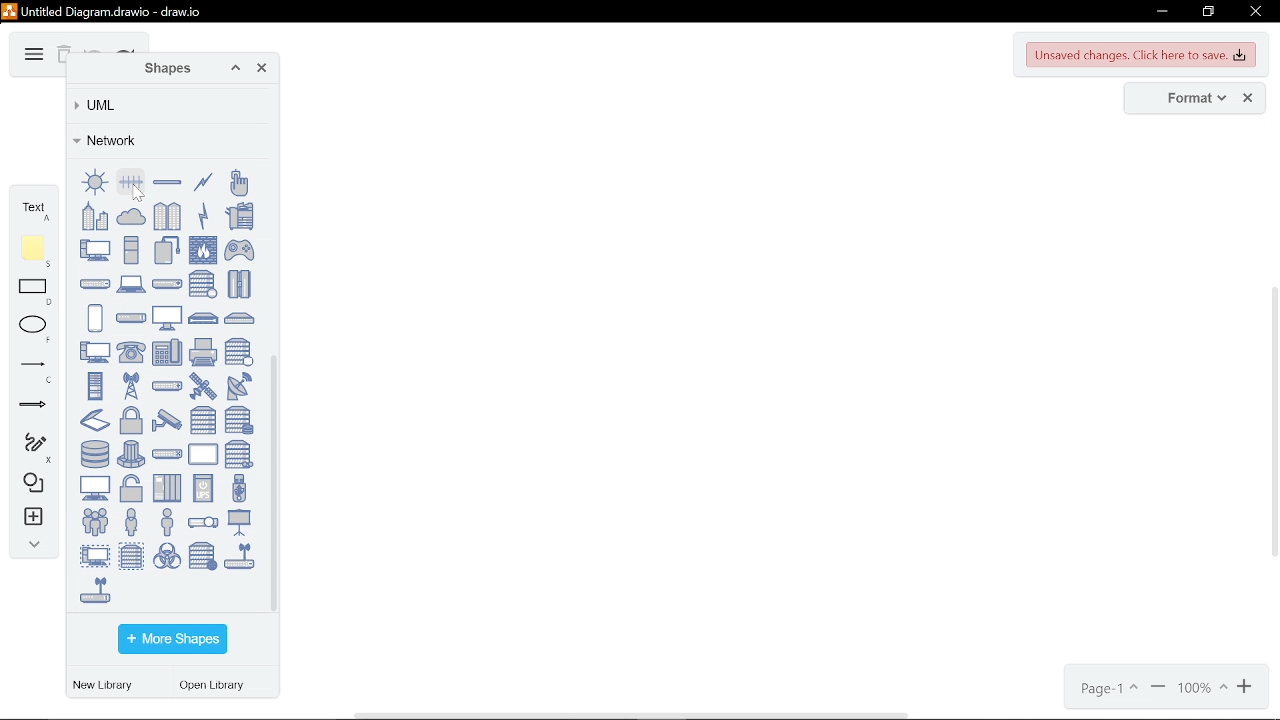 The width and height of the screenshot is (1280, 720). I want to click on redo, so click(126, 50).